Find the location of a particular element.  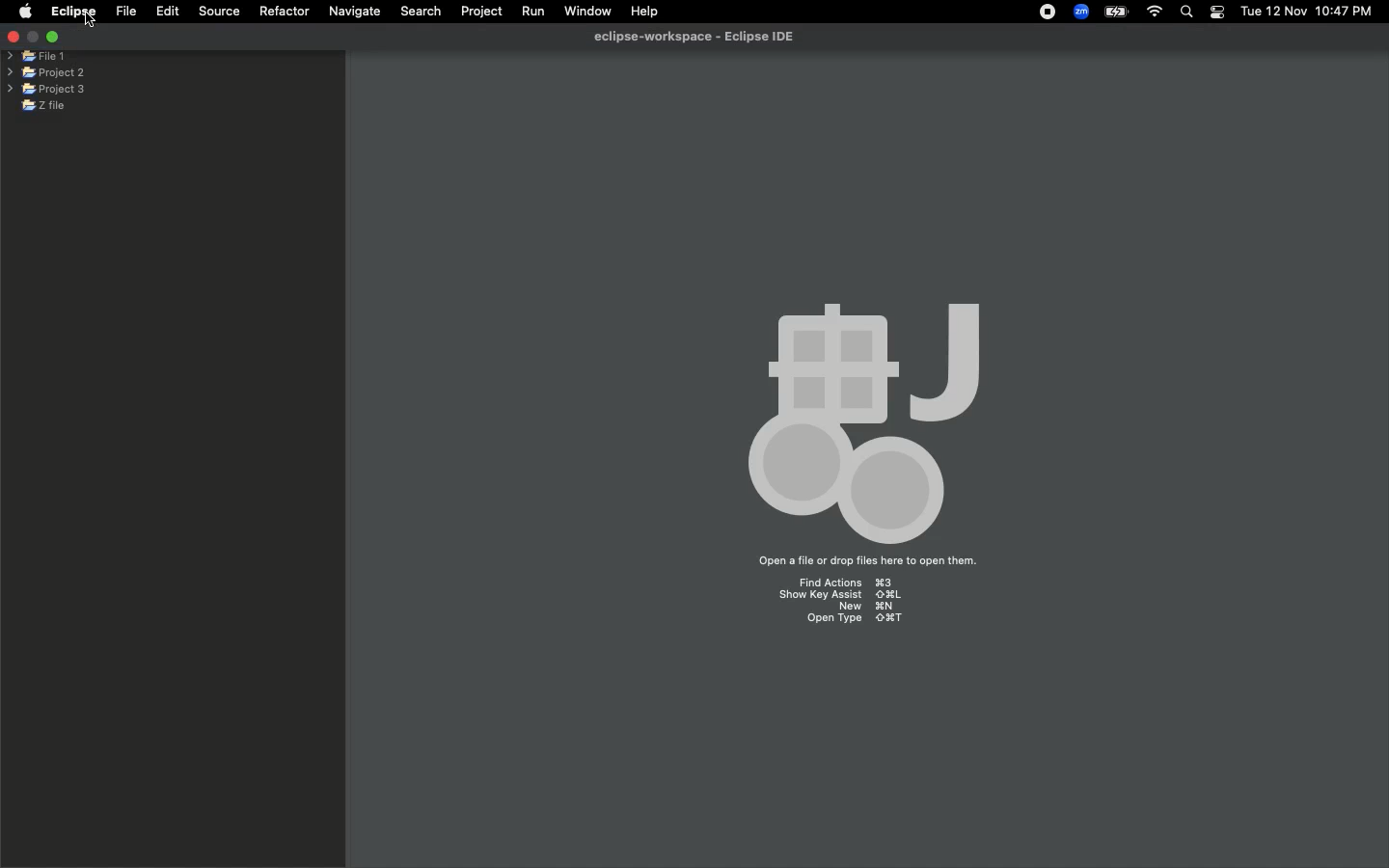

Close is located at coordinates (14, 34).